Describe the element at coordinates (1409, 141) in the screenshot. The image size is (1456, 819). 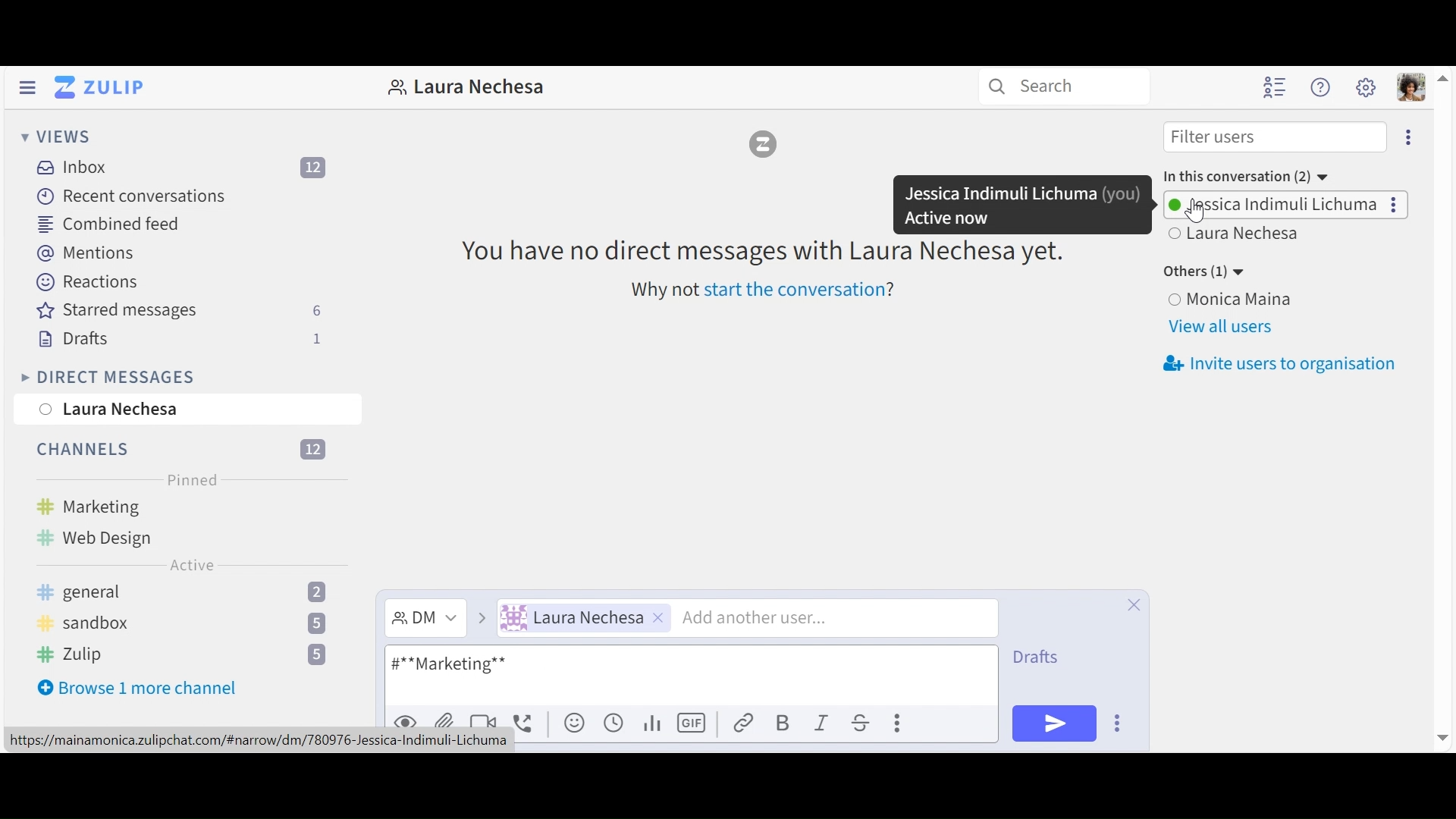
I see `more options` at that location.